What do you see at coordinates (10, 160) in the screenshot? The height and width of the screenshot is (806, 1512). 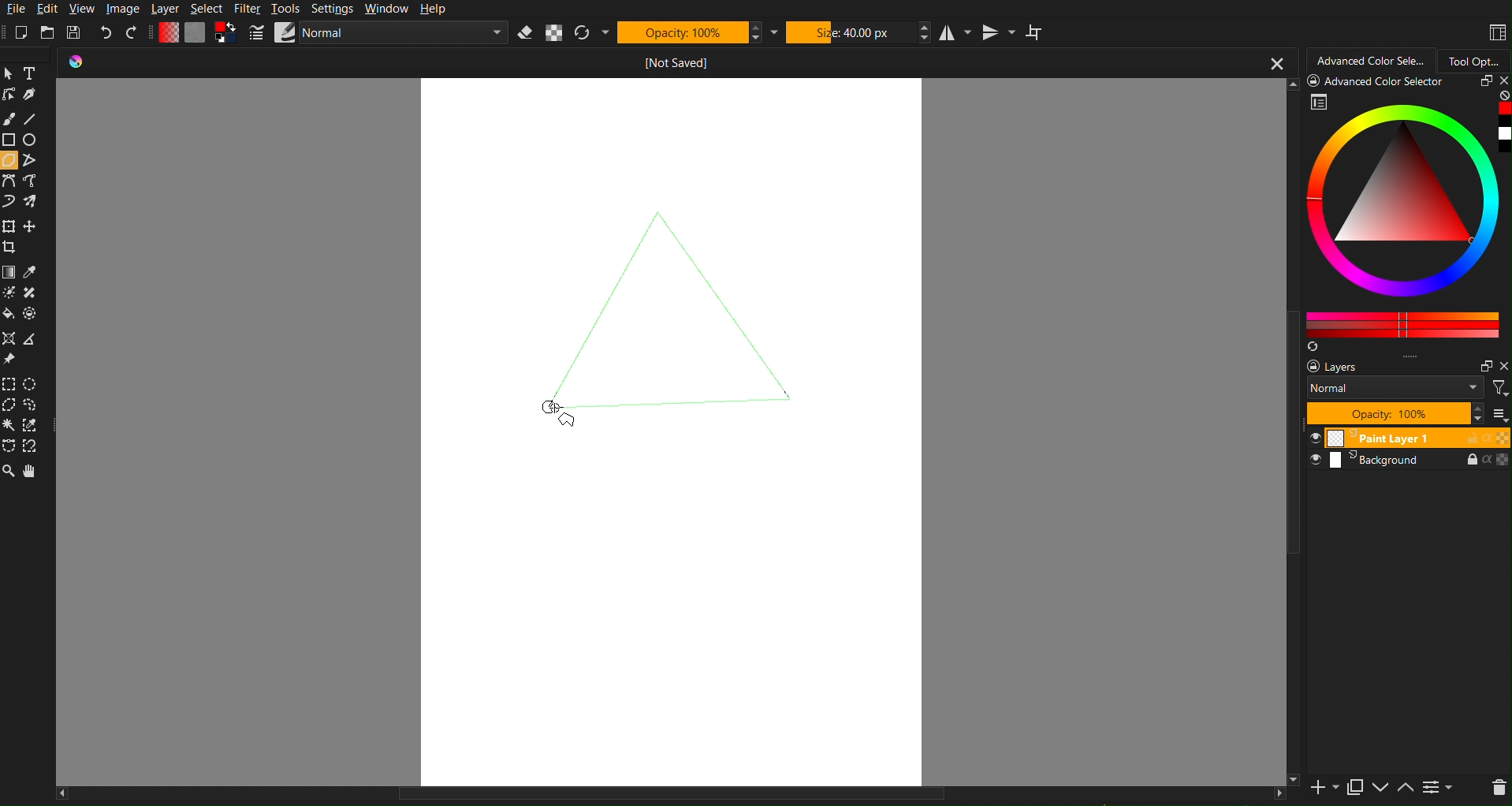 I see `polygon tool` at bounding box center [10, 160].